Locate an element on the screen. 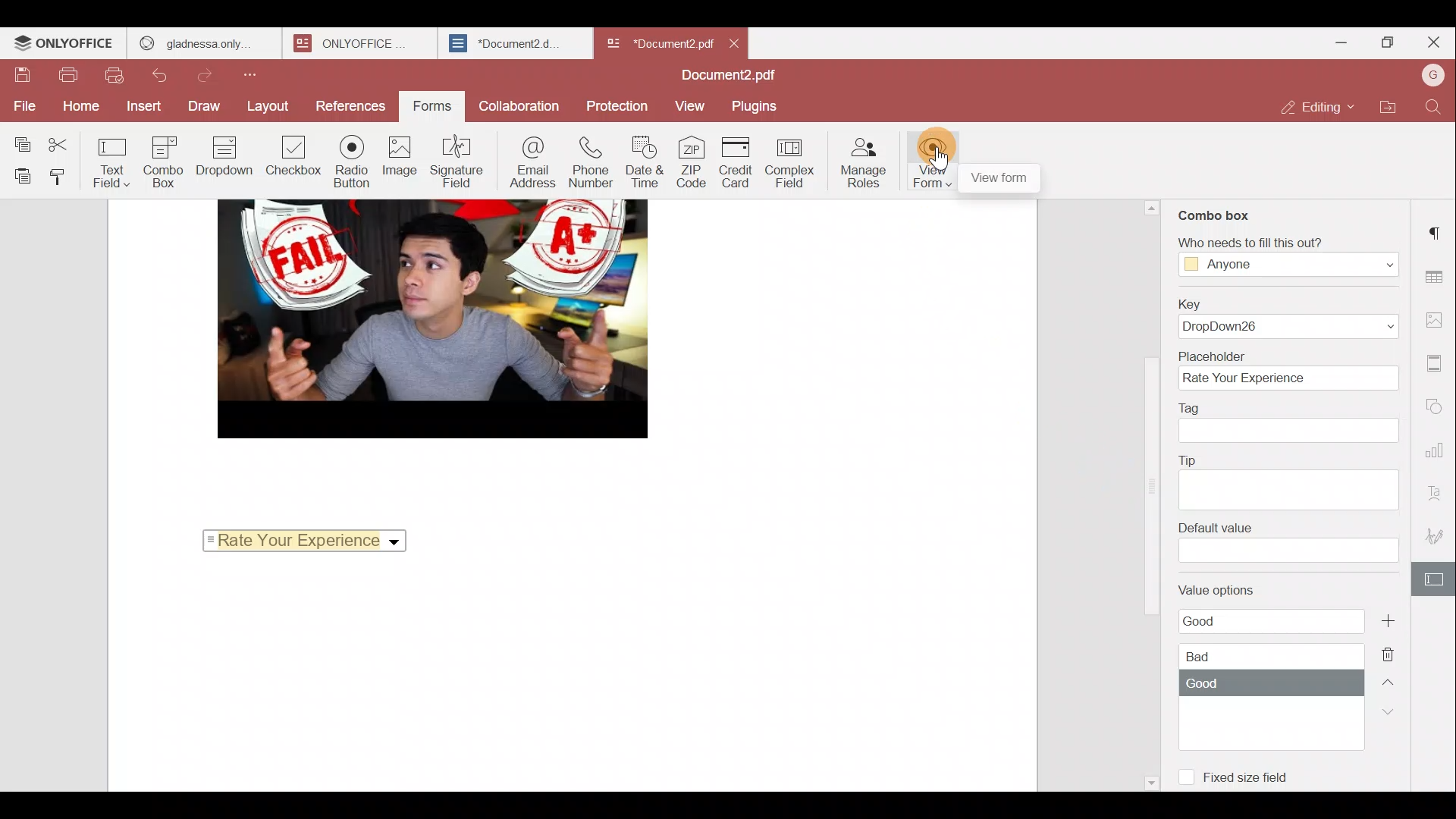  View form is located at coordinates (1001, 179).